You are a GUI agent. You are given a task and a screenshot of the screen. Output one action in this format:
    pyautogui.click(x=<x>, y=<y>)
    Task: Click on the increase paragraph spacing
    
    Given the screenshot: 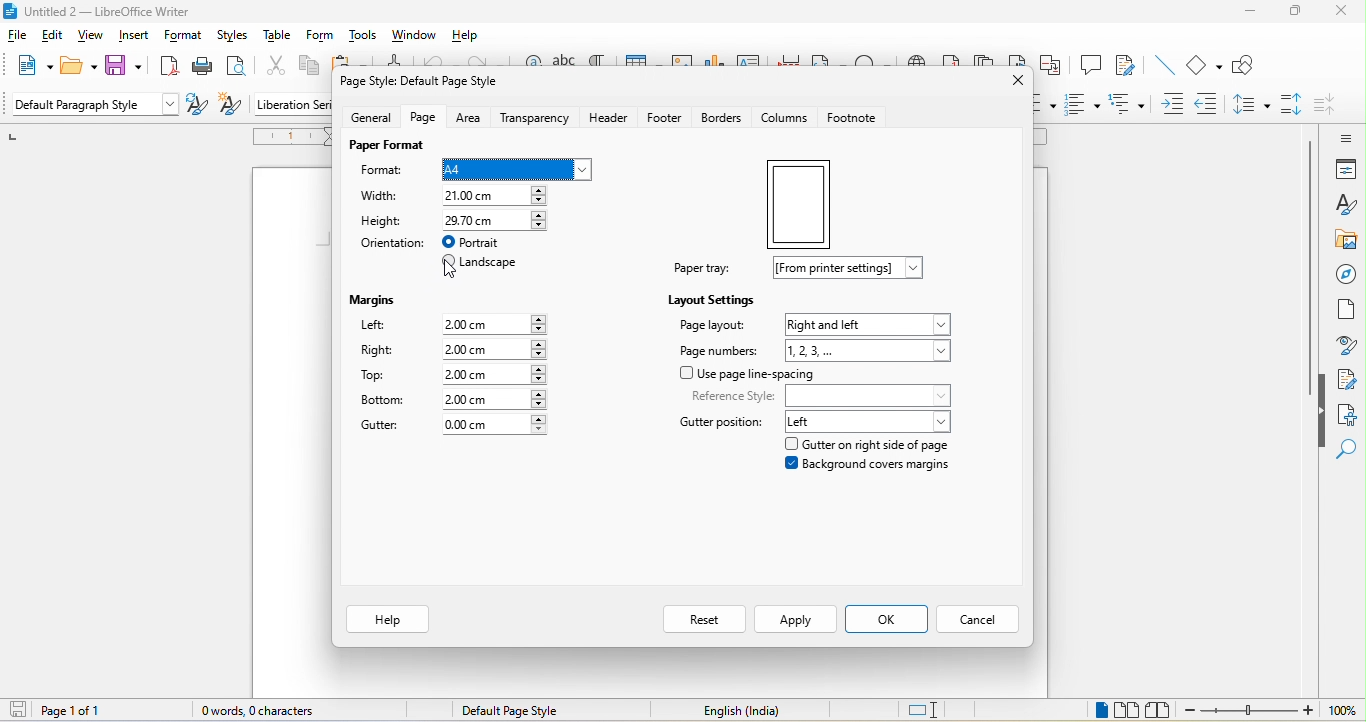 What is the action you would take?
    pyautogui.click(x=1293, y=107)
    